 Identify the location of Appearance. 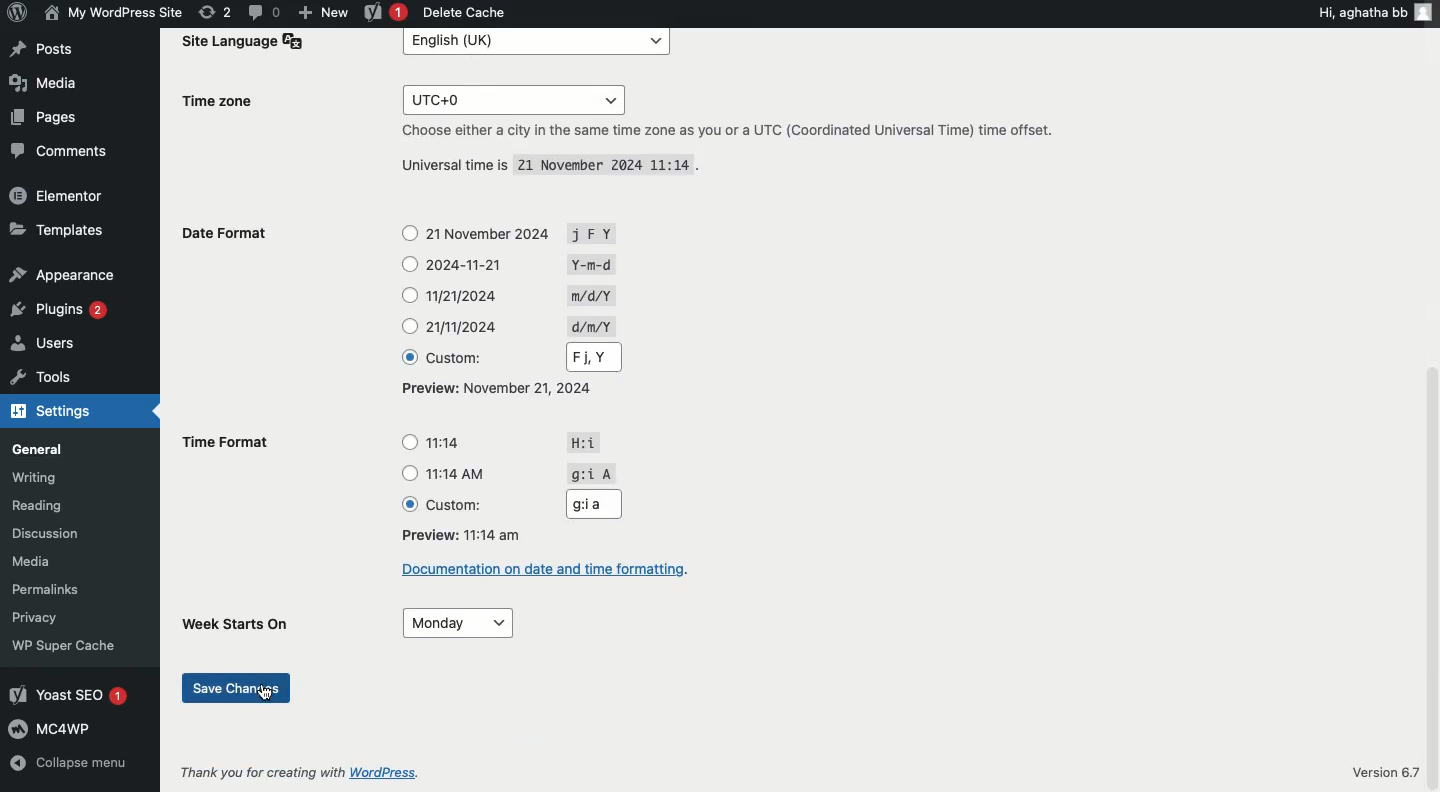
(60, 277).